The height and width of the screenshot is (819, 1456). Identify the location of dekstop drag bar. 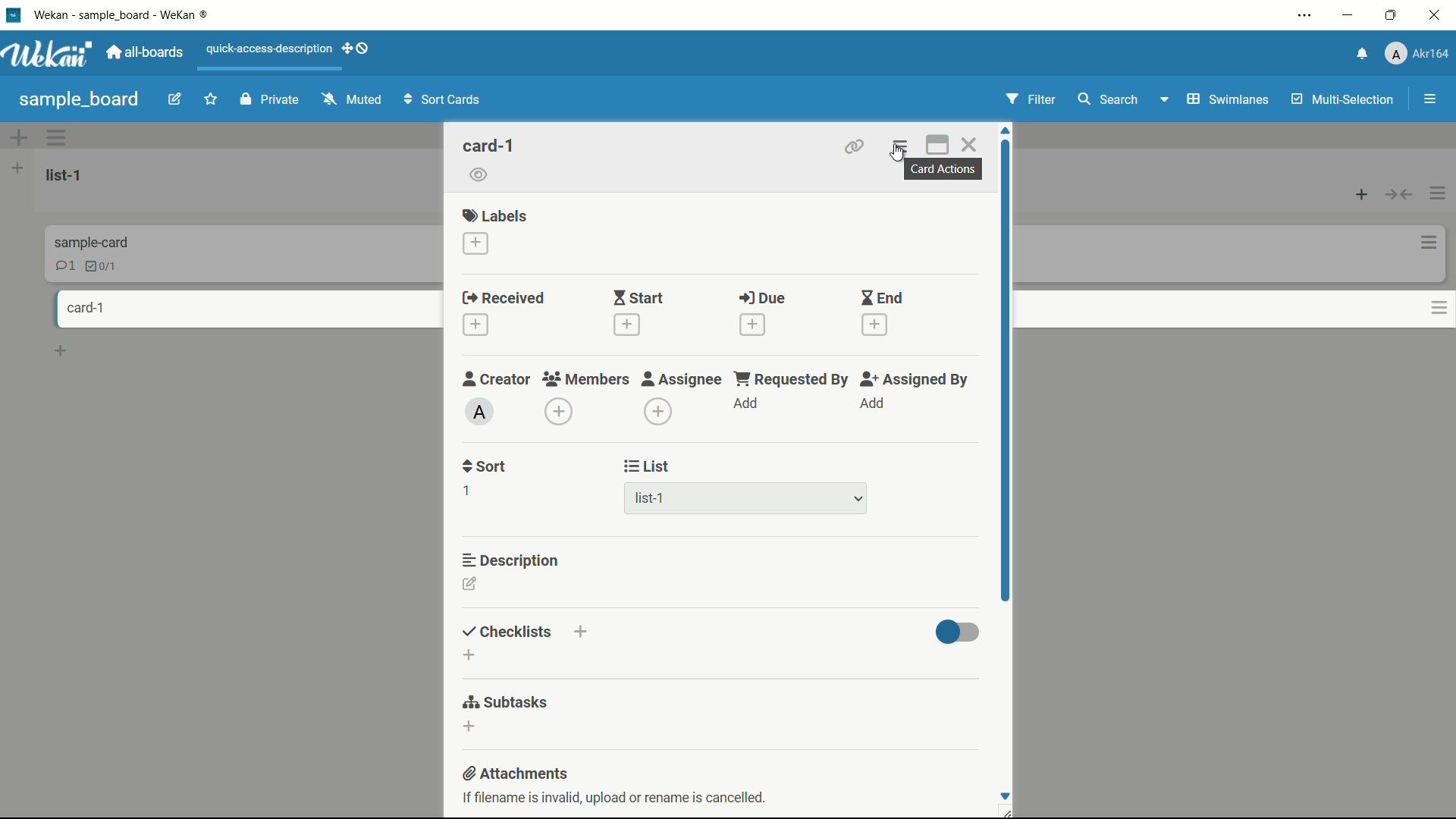
(356, 50).